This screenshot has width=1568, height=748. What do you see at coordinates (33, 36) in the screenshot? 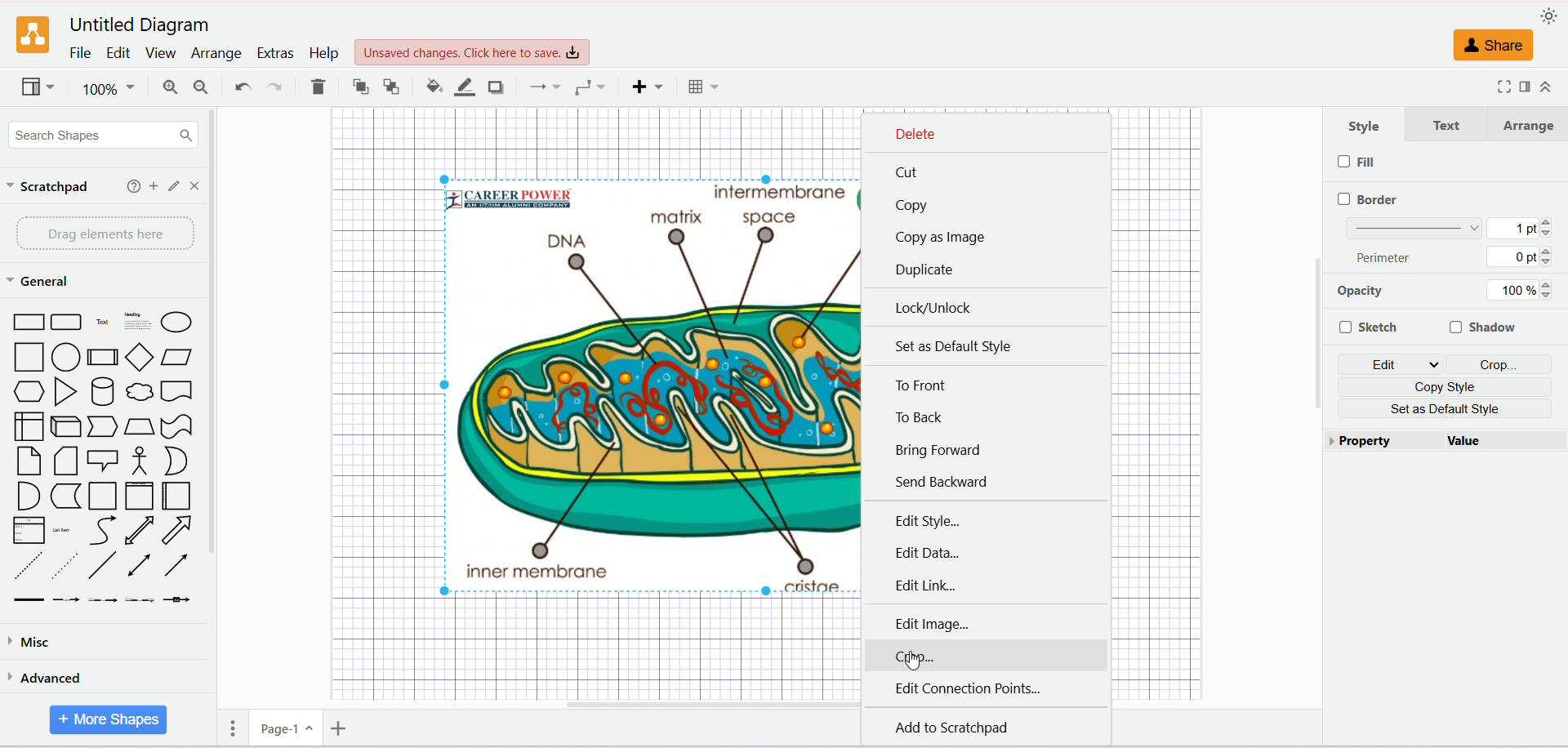
I see `logo` at bounding box center [33, 36].